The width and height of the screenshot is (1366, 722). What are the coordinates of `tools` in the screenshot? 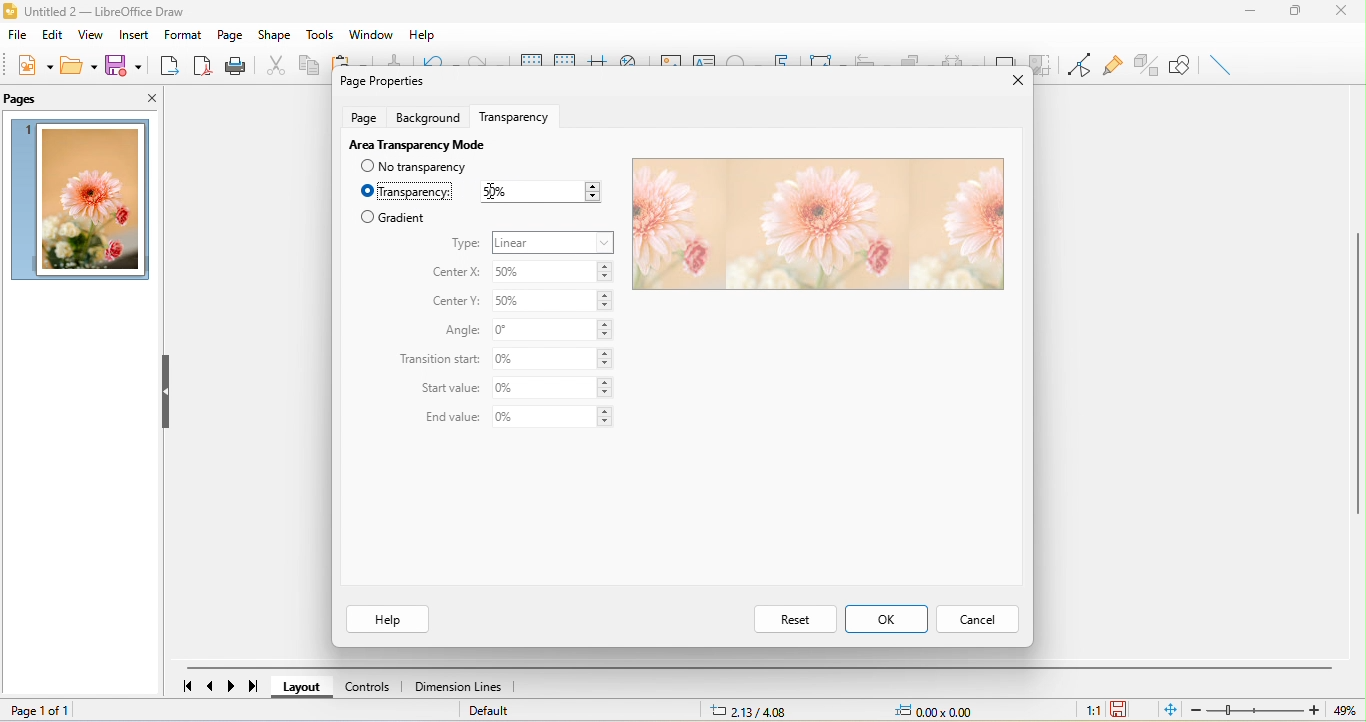 It's located at (318, 34).